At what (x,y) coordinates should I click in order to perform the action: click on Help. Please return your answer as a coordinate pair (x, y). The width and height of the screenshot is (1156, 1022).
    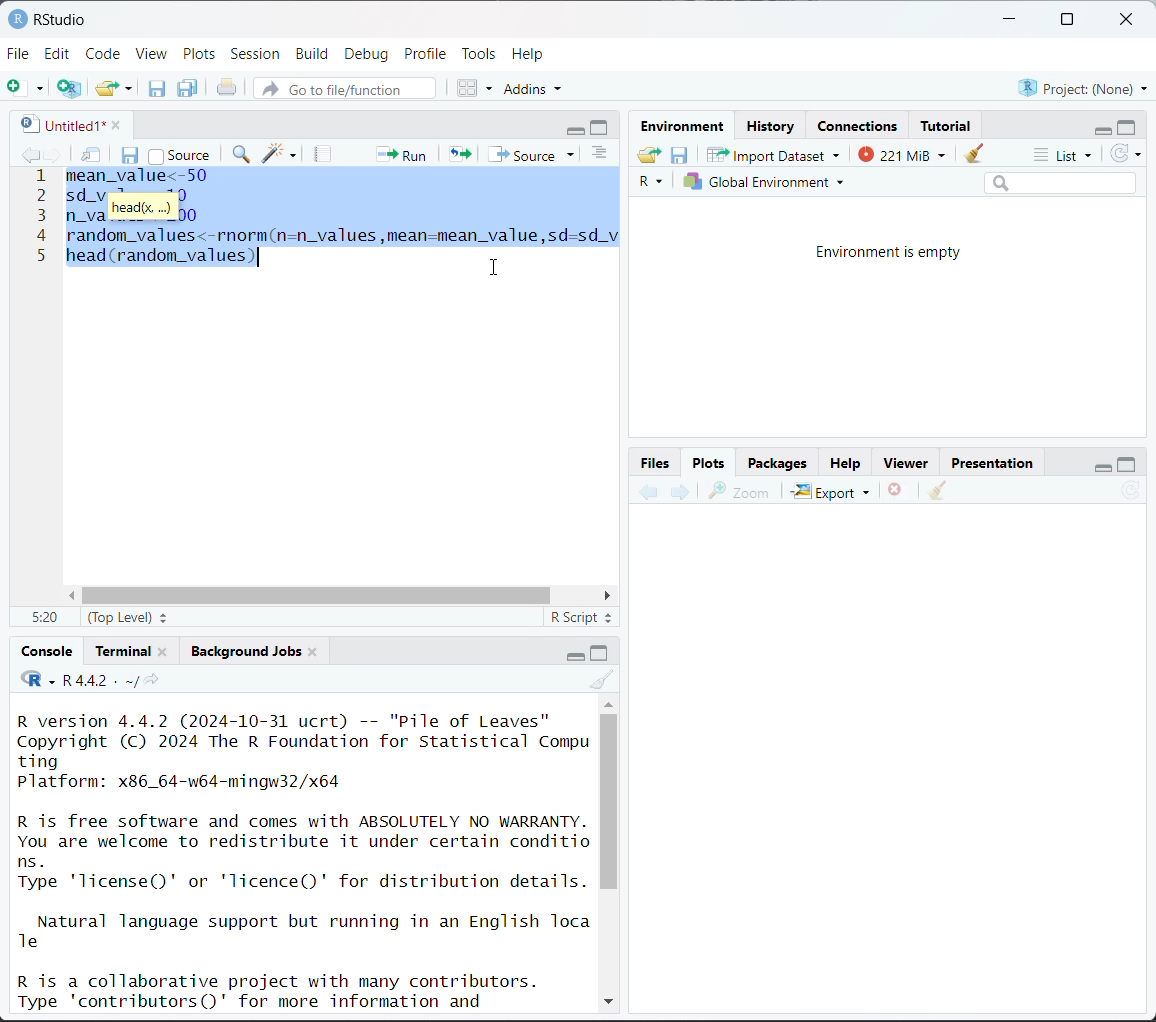
    Looking at the image, I should click on (845, 465).